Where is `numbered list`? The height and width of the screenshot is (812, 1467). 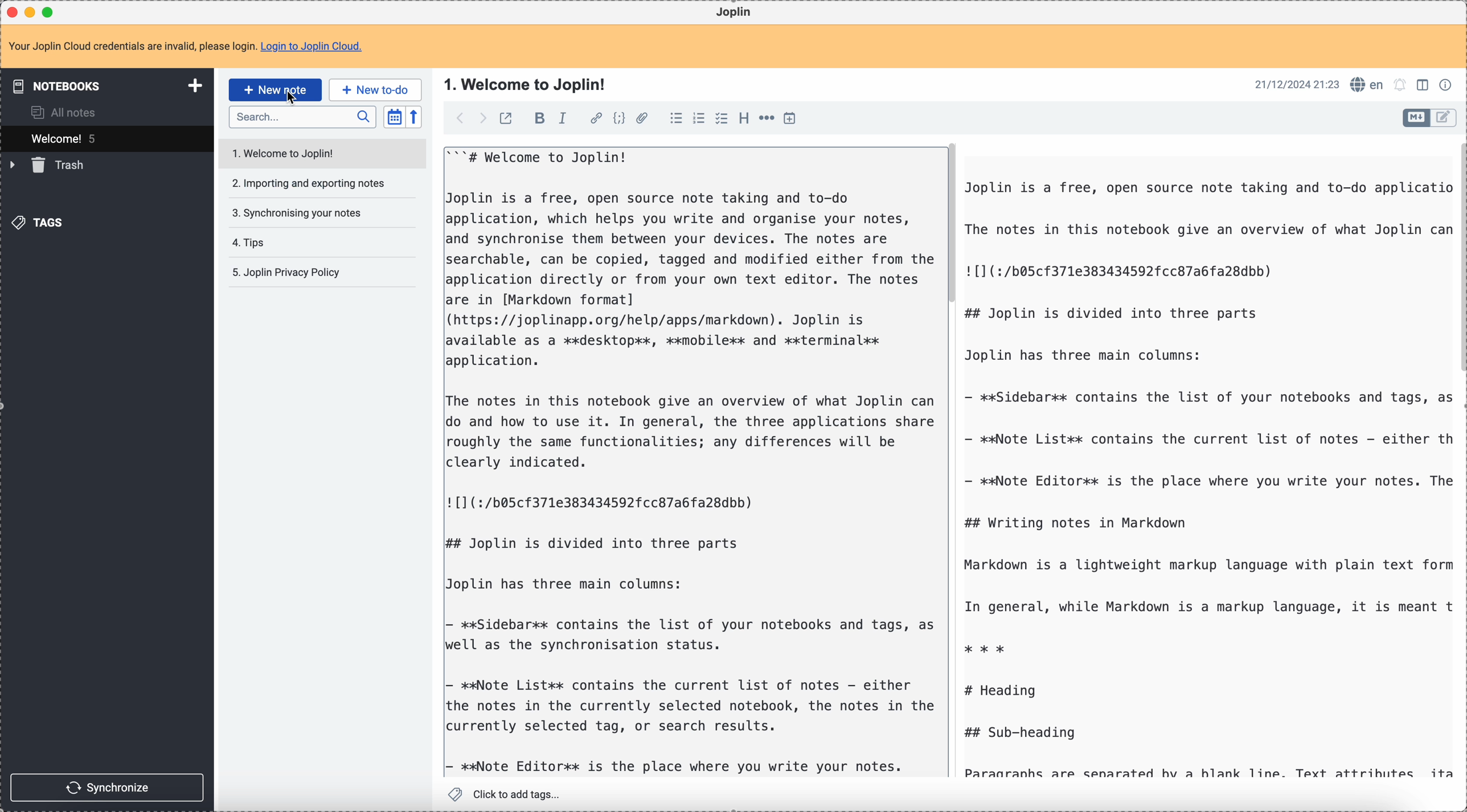
numbered list is located at coordinates (700, 118).